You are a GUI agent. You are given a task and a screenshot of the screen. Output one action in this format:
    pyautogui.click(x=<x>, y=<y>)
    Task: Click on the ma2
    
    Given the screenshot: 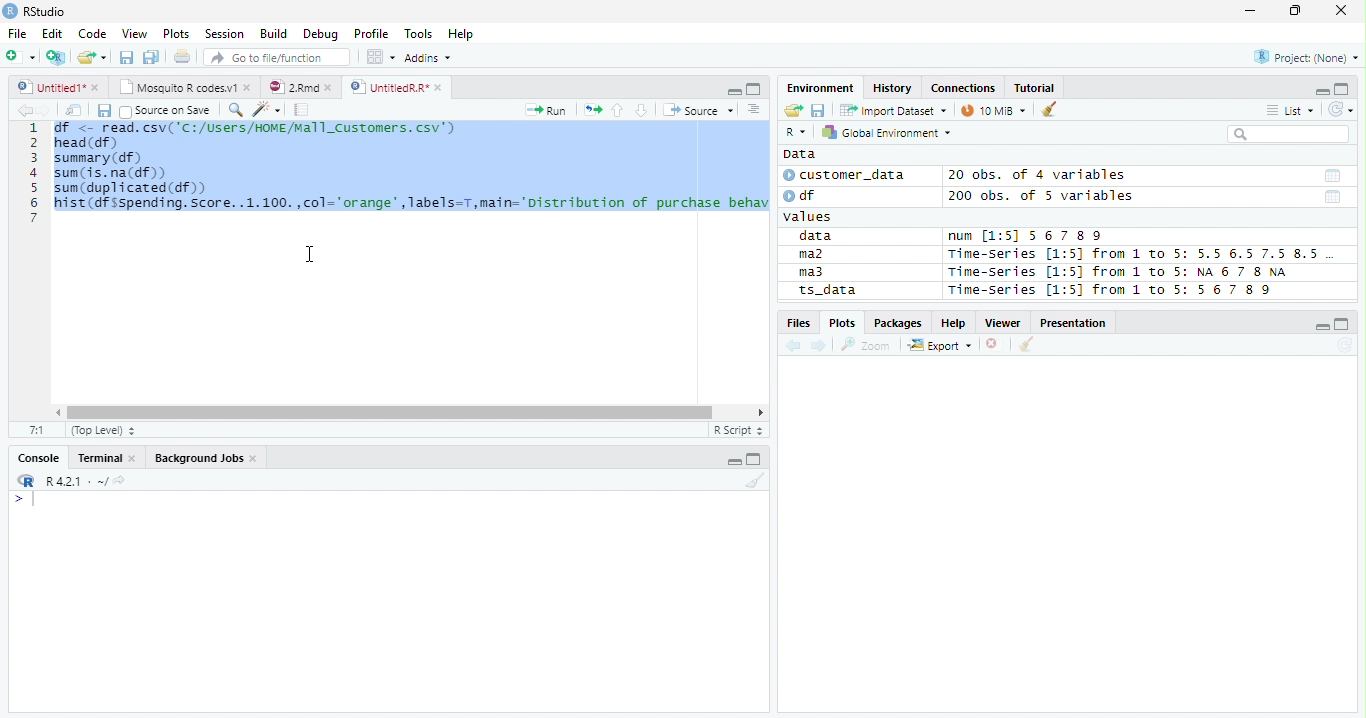 What is the action you would take?
    pyautogui.click(x=816, y=256)
    